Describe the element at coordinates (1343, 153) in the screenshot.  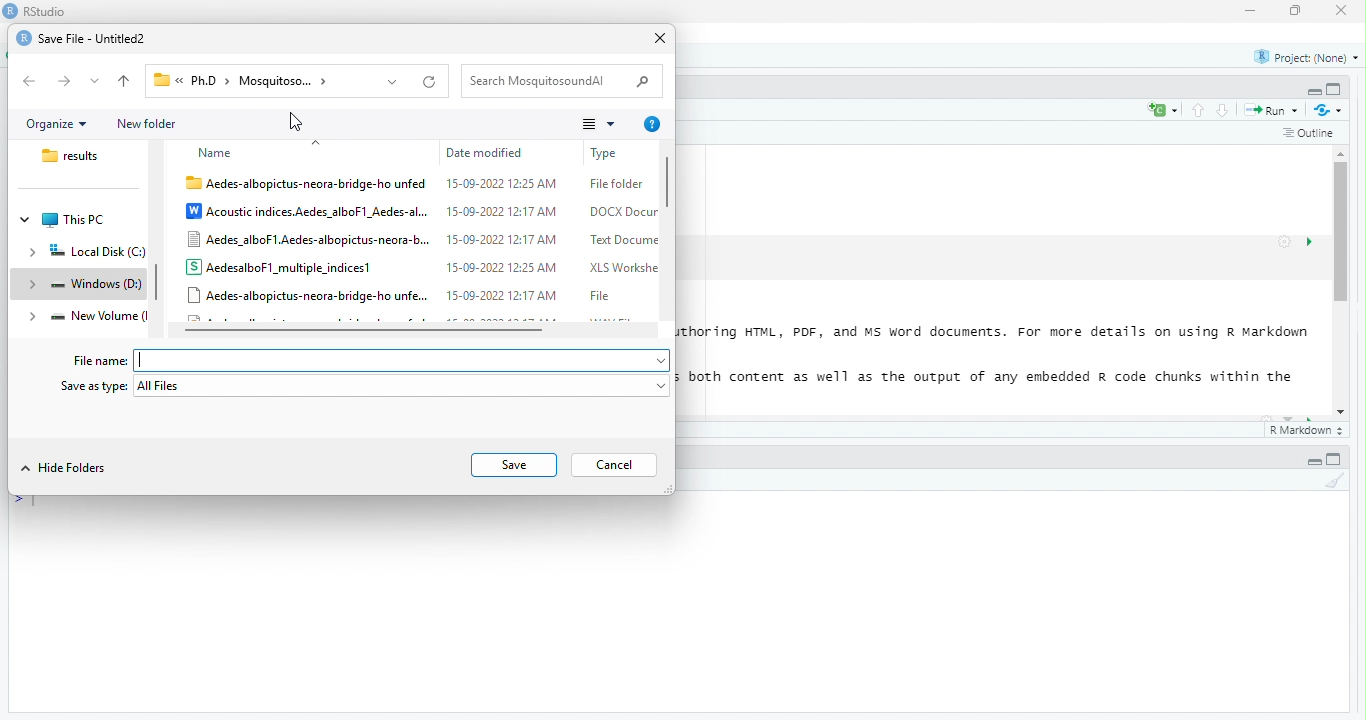
I see `scroll up` at that location.